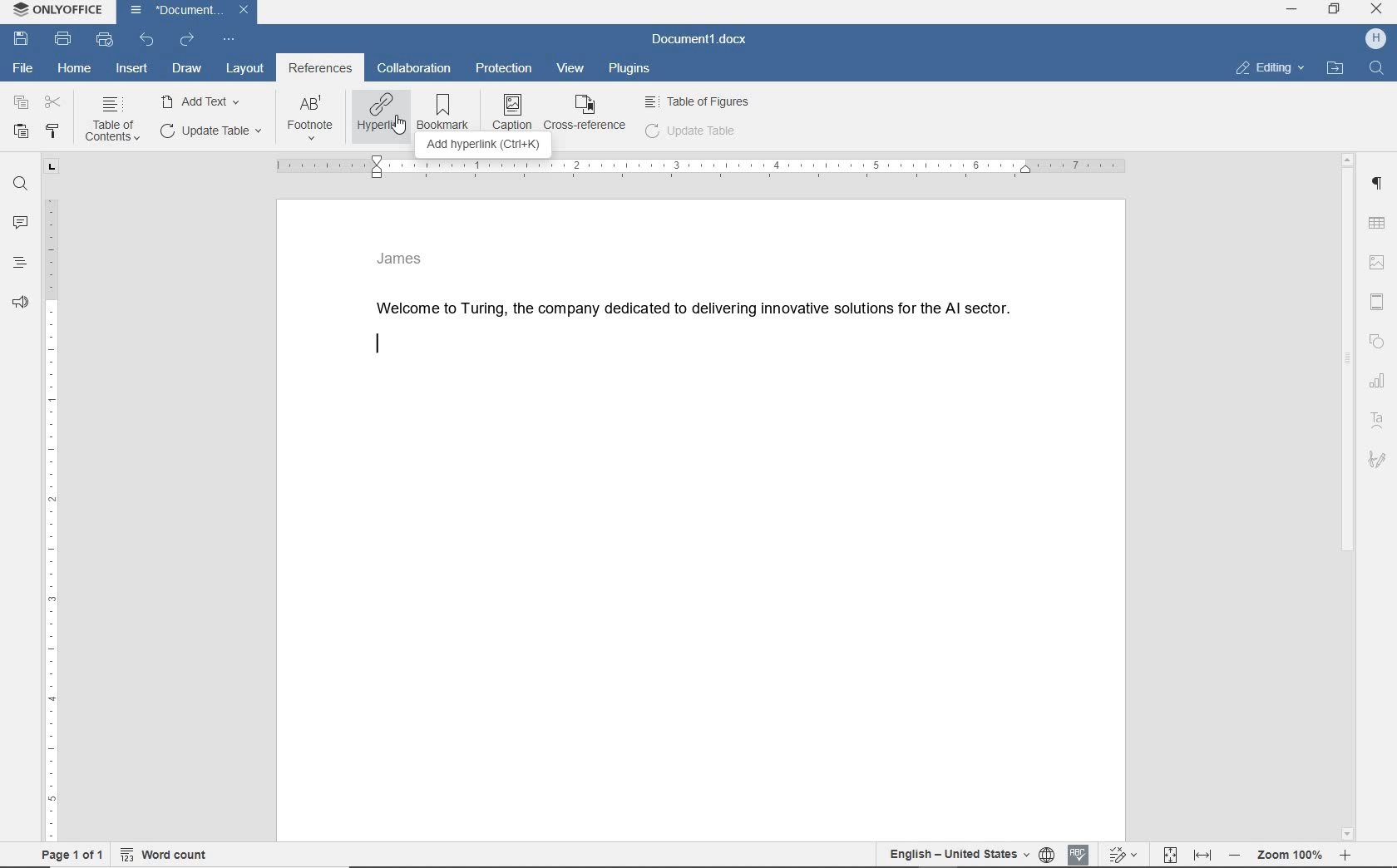  I want to click on ruler, so click(698, 167).